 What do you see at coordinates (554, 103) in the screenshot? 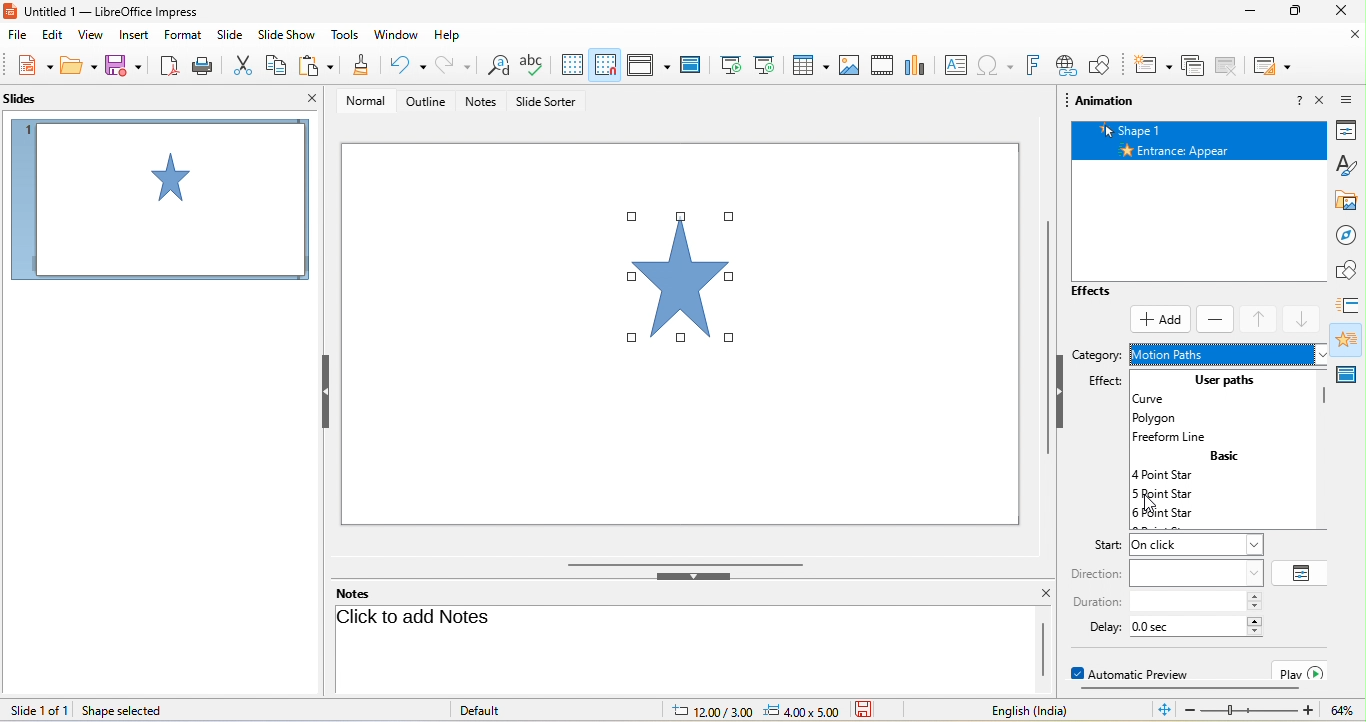
I see `slide sorter` at bounding box center [554, 103].